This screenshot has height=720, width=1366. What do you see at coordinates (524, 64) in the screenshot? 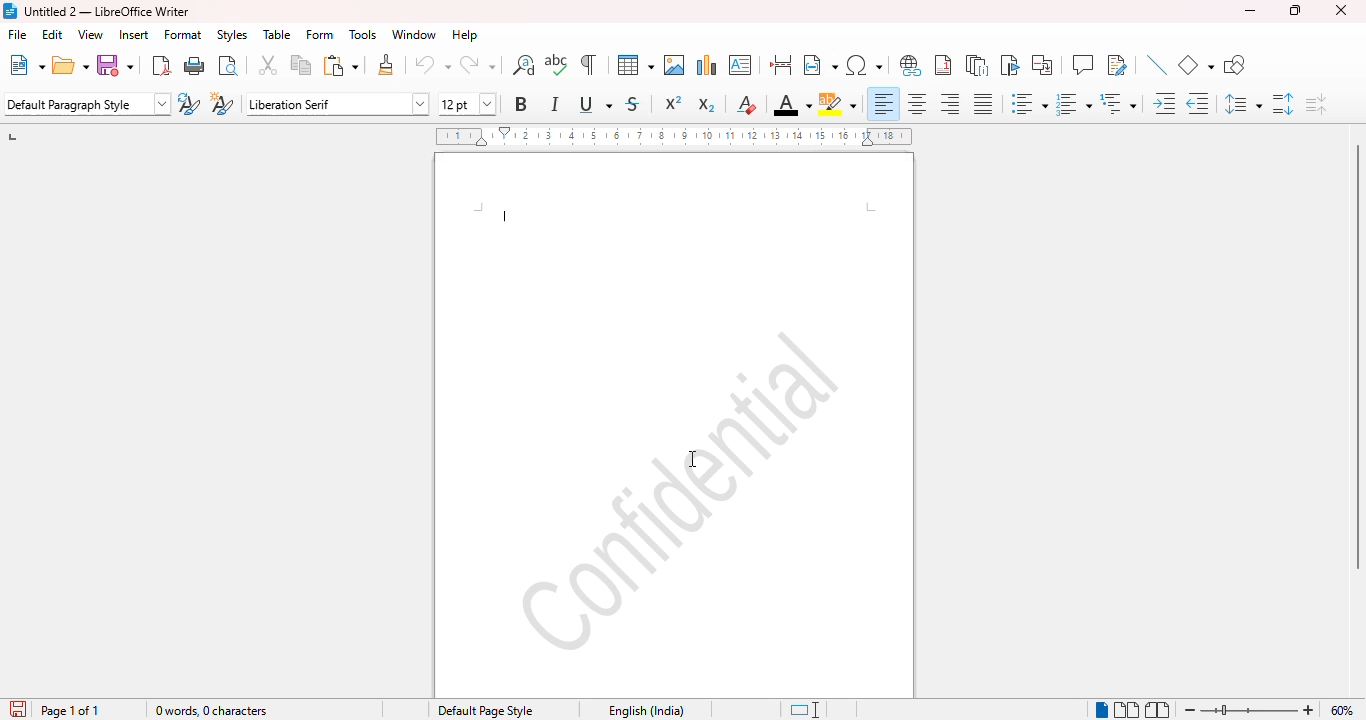
I see `find and replace` at bounding box center [524, 64].